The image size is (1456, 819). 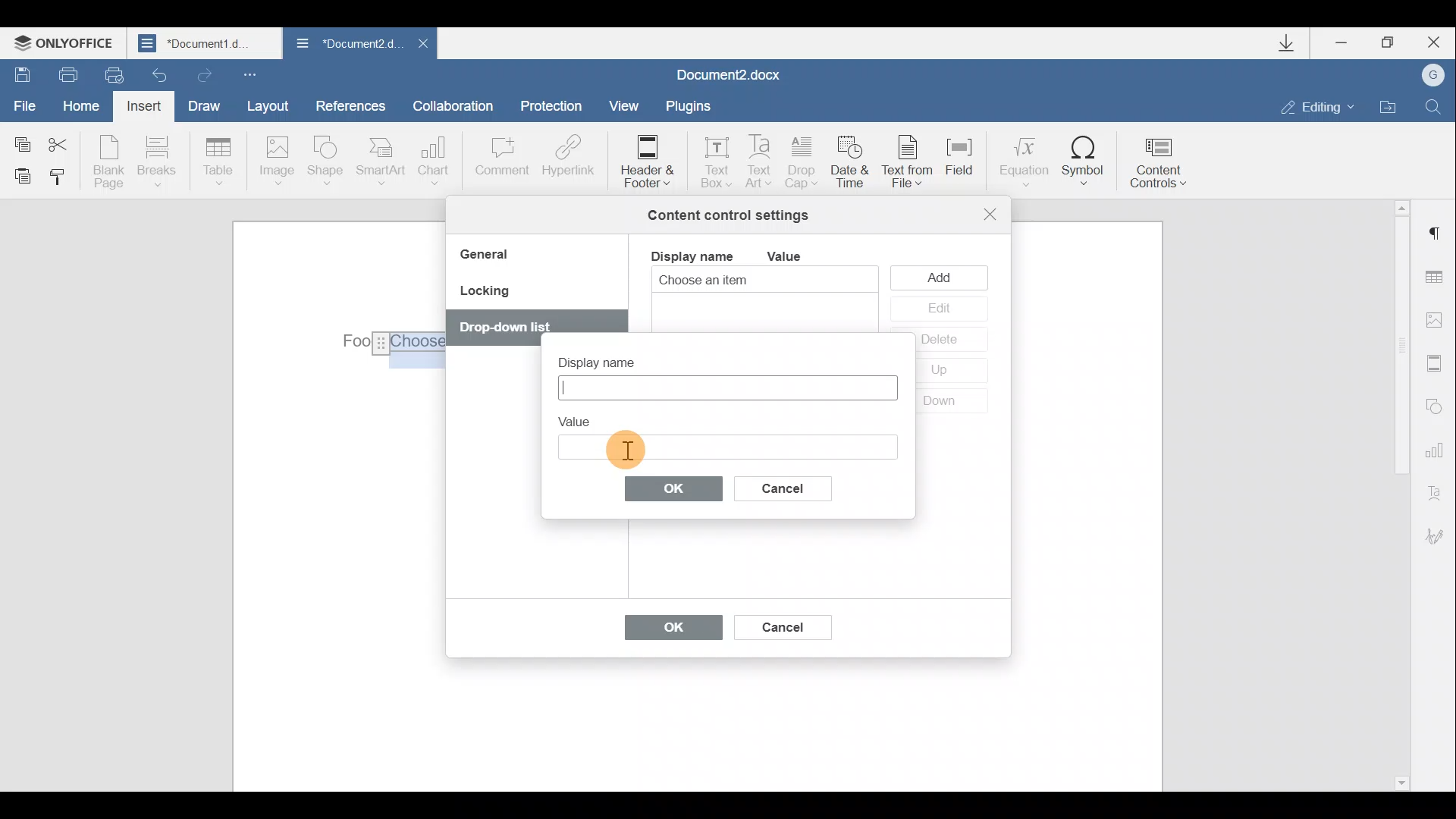 I want to click on Layout, so click(x=267, y=105).